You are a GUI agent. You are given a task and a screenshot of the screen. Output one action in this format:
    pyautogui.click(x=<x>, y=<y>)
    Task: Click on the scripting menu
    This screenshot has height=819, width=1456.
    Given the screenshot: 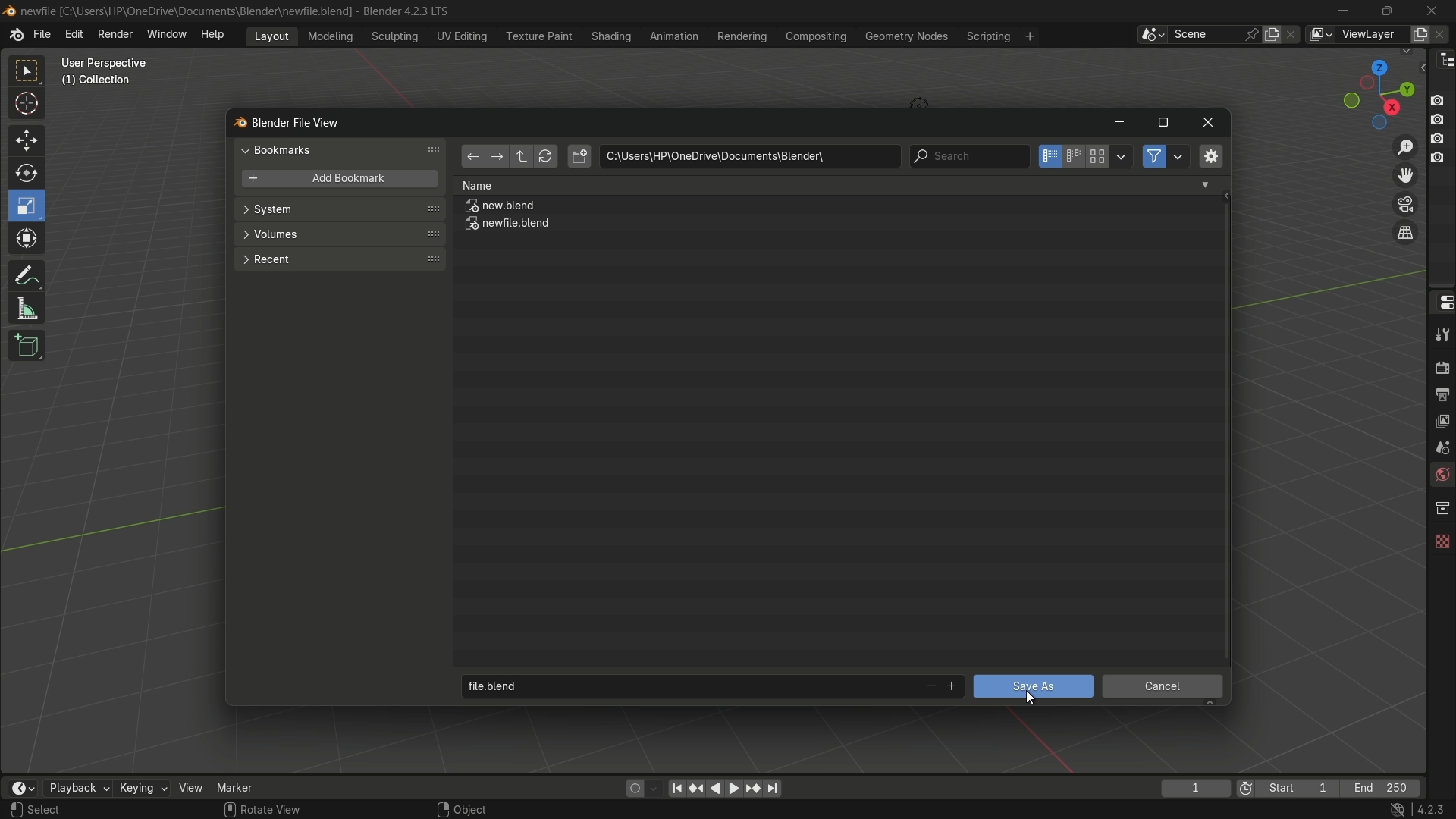 What is the action you would take?
    pyautogui.click(x=987, y=36)
    